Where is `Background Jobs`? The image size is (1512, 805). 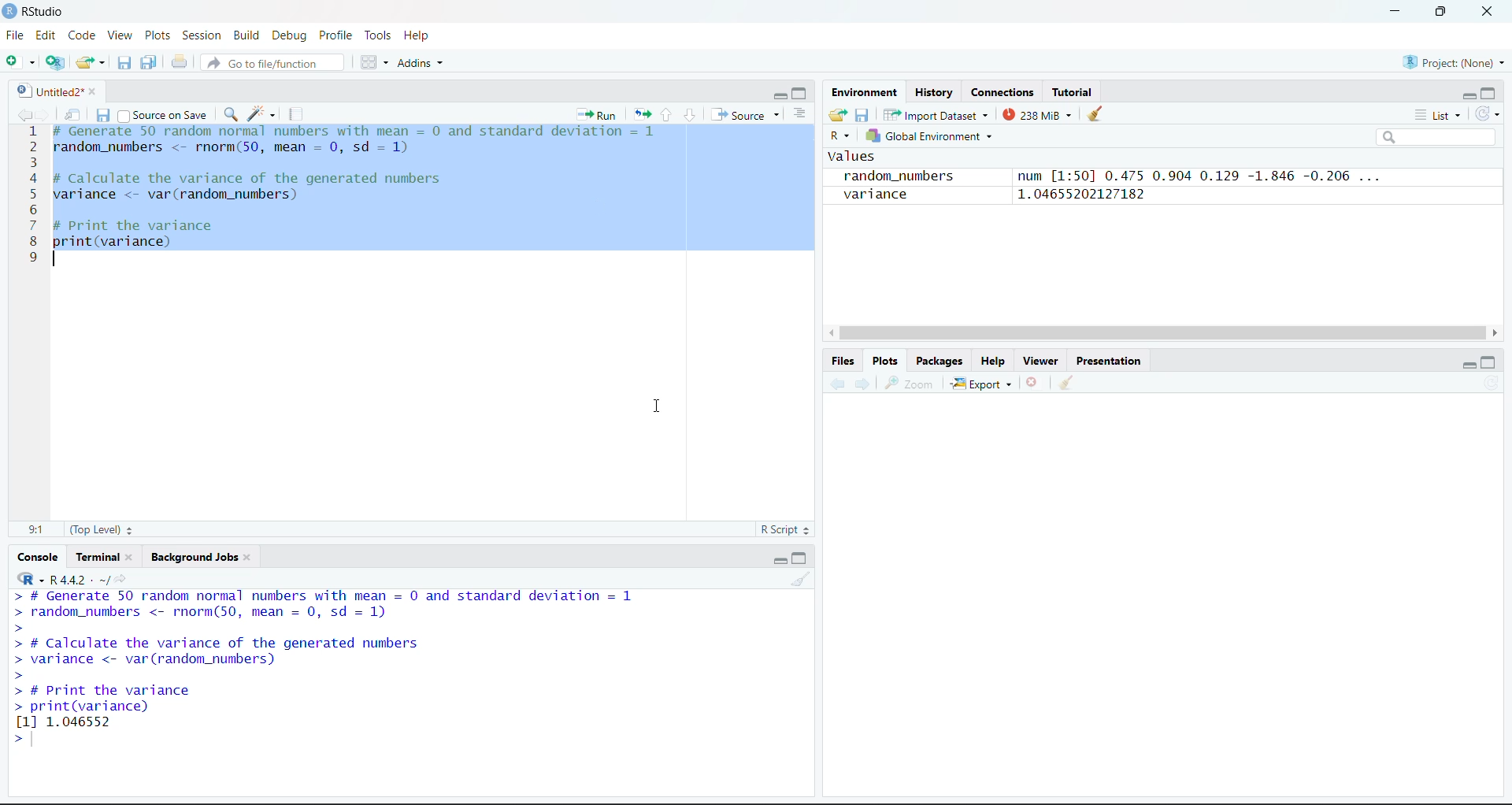
Background Jobs is located at coordinates (192, 557).